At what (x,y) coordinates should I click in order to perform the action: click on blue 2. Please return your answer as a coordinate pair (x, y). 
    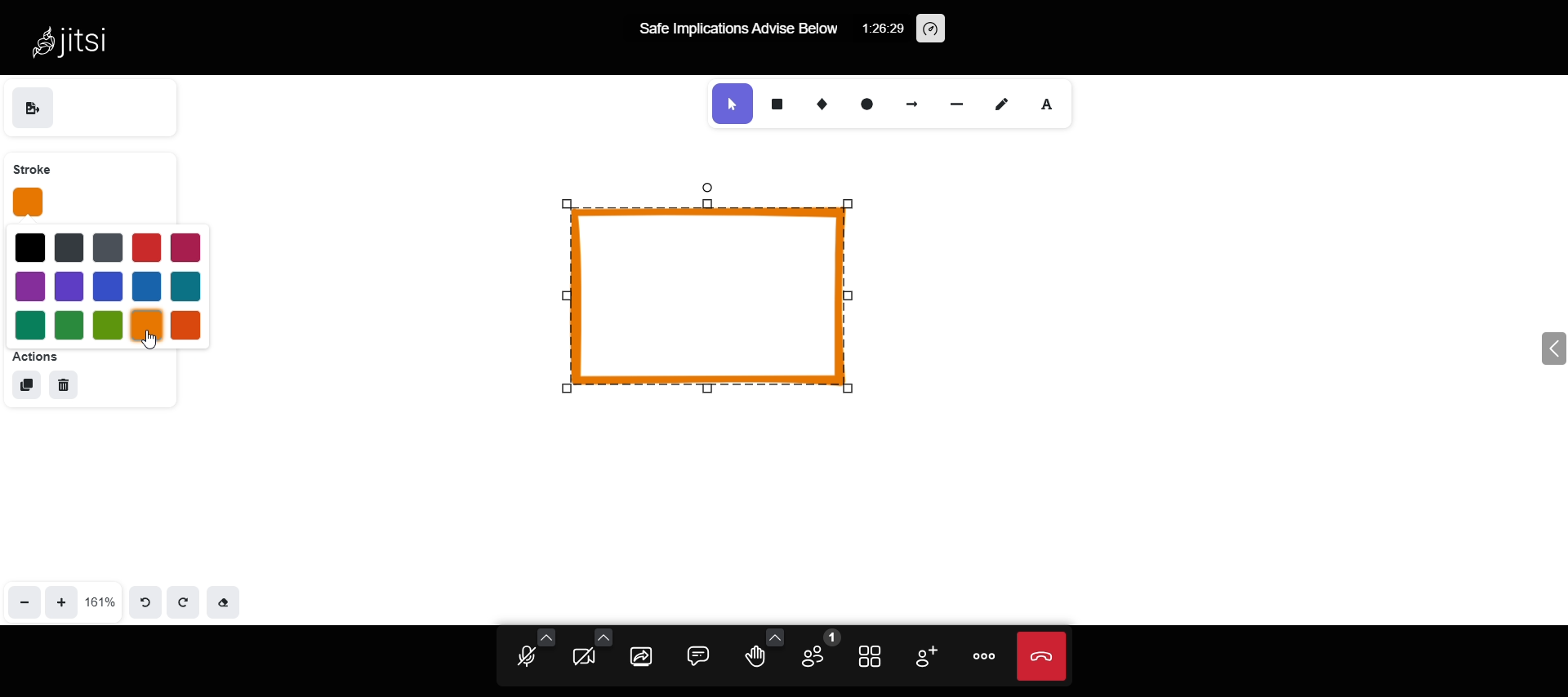
    Looking at the image, I should click on (109, 247).